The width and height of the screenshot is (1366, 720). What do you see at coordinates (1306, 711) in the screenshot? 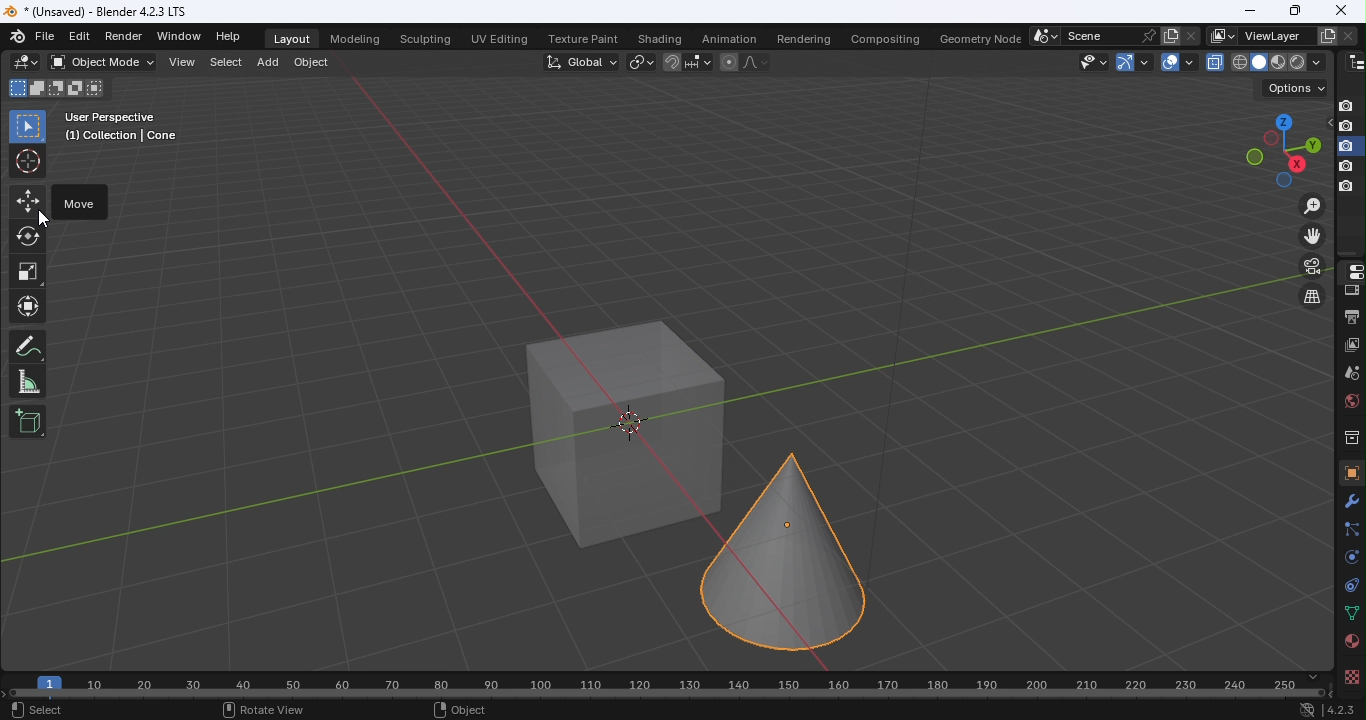
I see `Network` at bounding box center [1306, 711].